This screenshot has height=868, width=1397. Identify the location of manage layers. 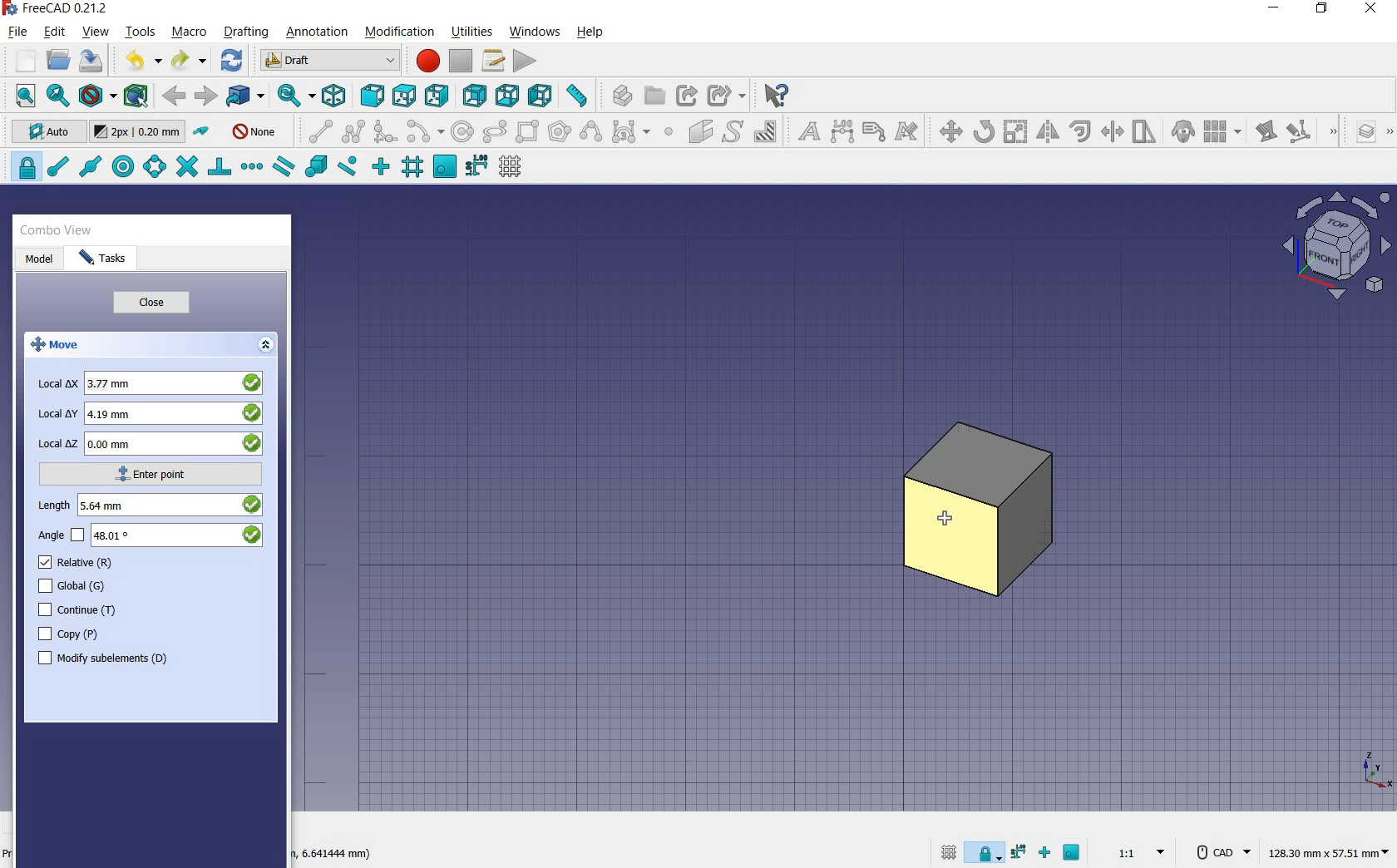
(1367, 133).